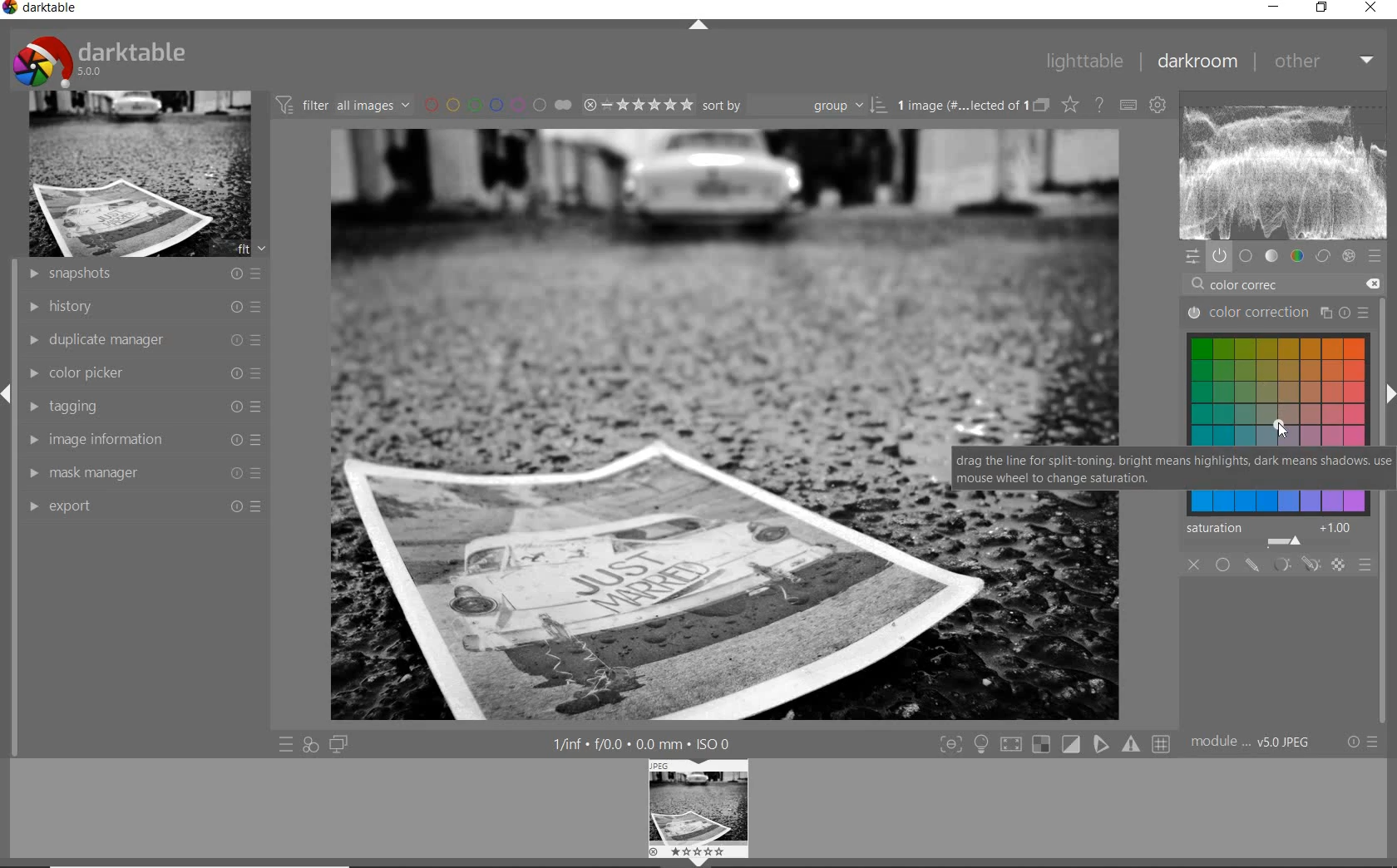  I want to click on other, so click(1326, 62).